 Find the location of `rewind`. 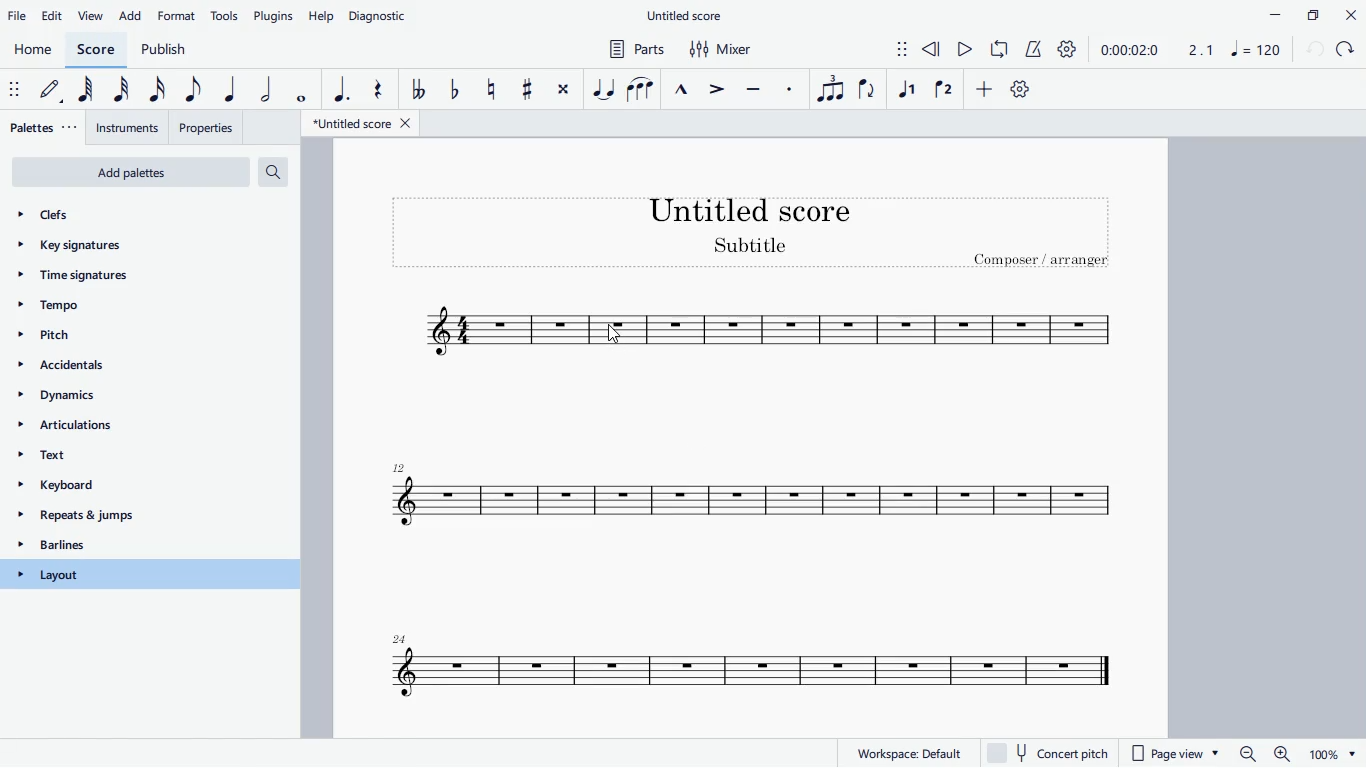

rewind is located at coordinates (932, 50).